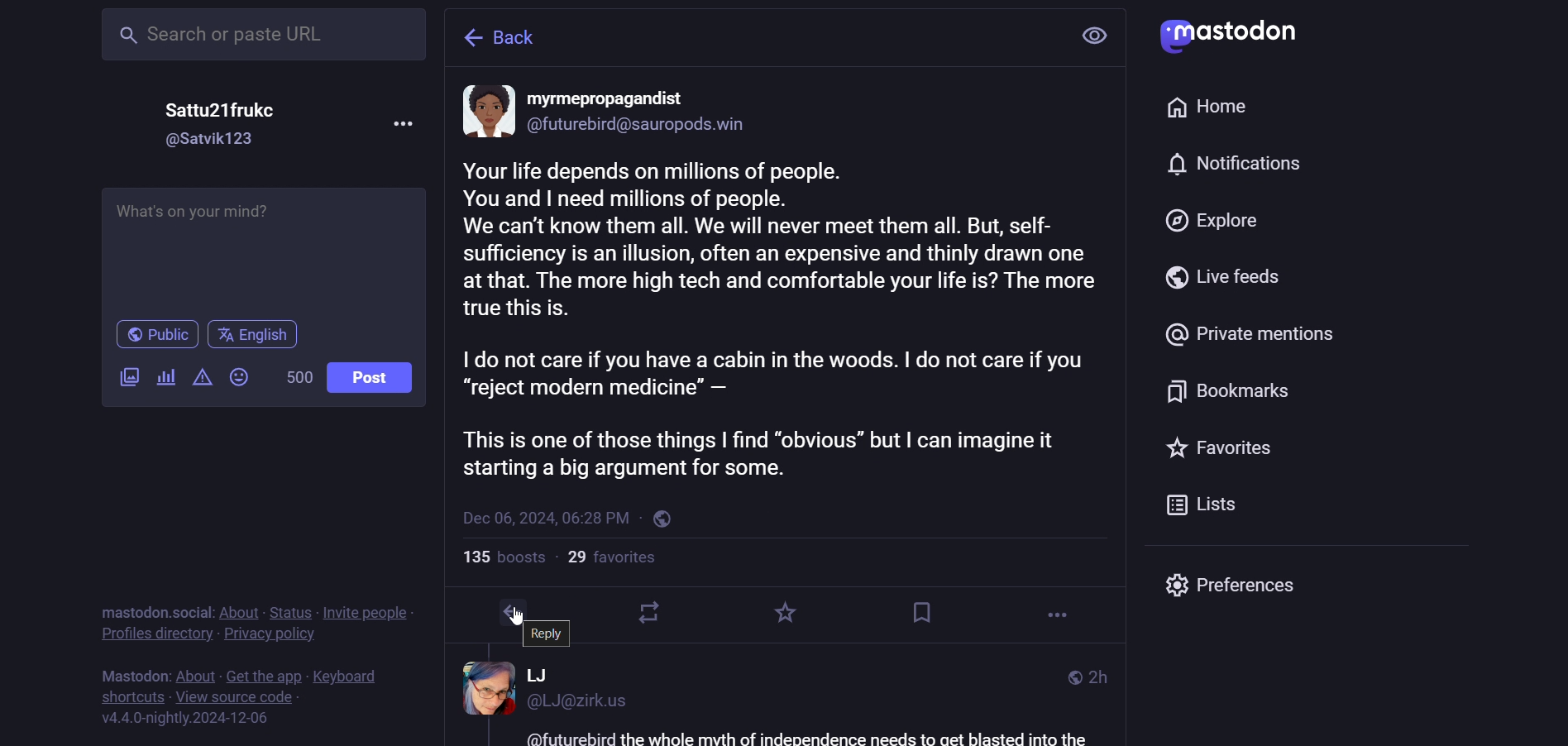 The height and width of the screenshot is (746, 1568). Describe the element at coordinates (615, 560) in the screenshot. I see `followers` at that location.